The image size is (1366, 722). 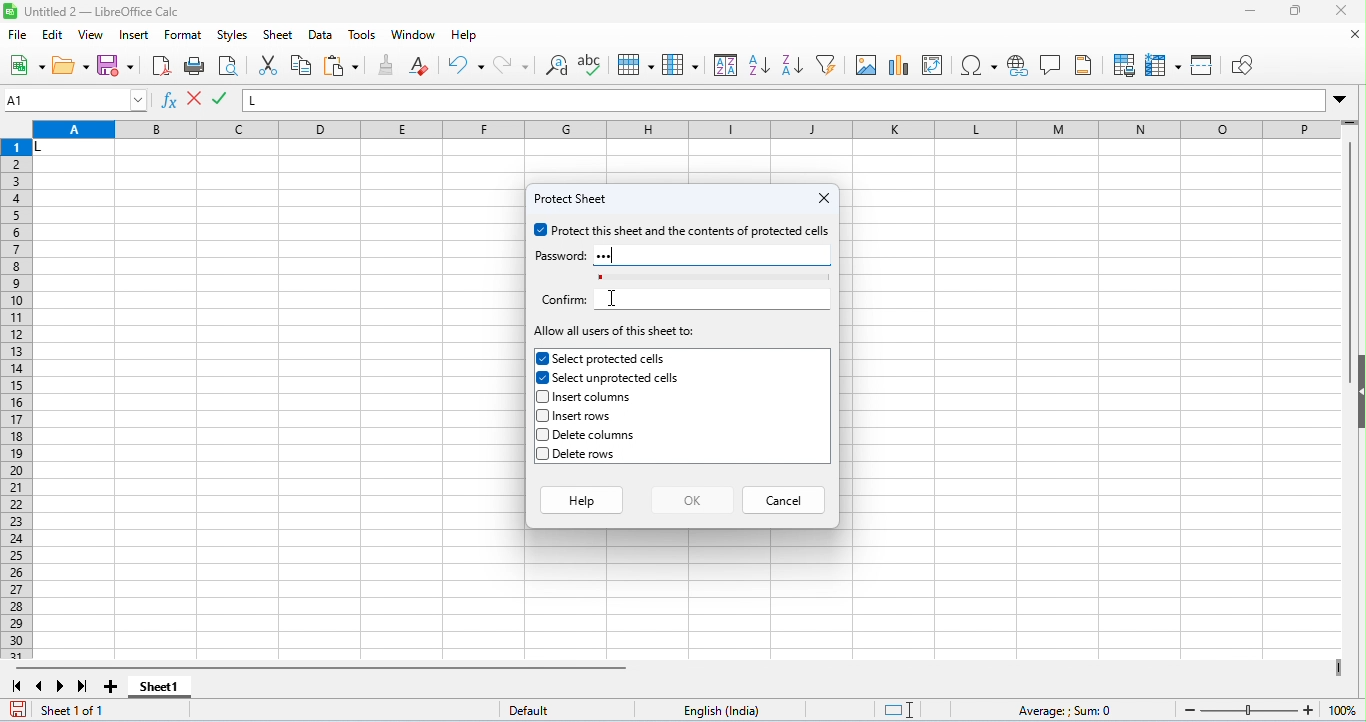 What do you see at coordinates (61, 686) in the screenshot?
I see `next` at bounding box center [61, 686].